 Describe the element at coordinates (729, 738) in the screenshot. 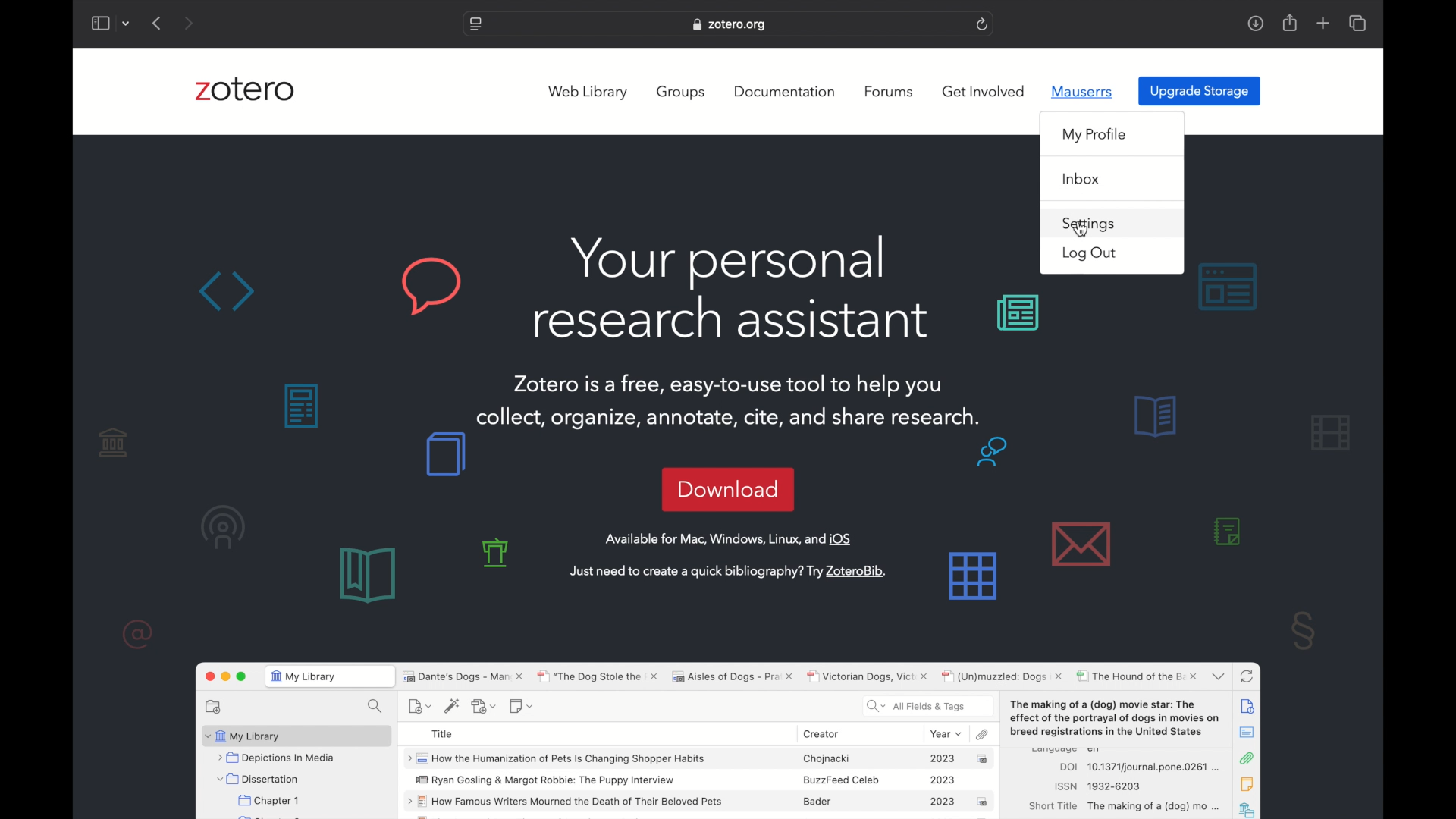

I see `zotero software preview` at that location.